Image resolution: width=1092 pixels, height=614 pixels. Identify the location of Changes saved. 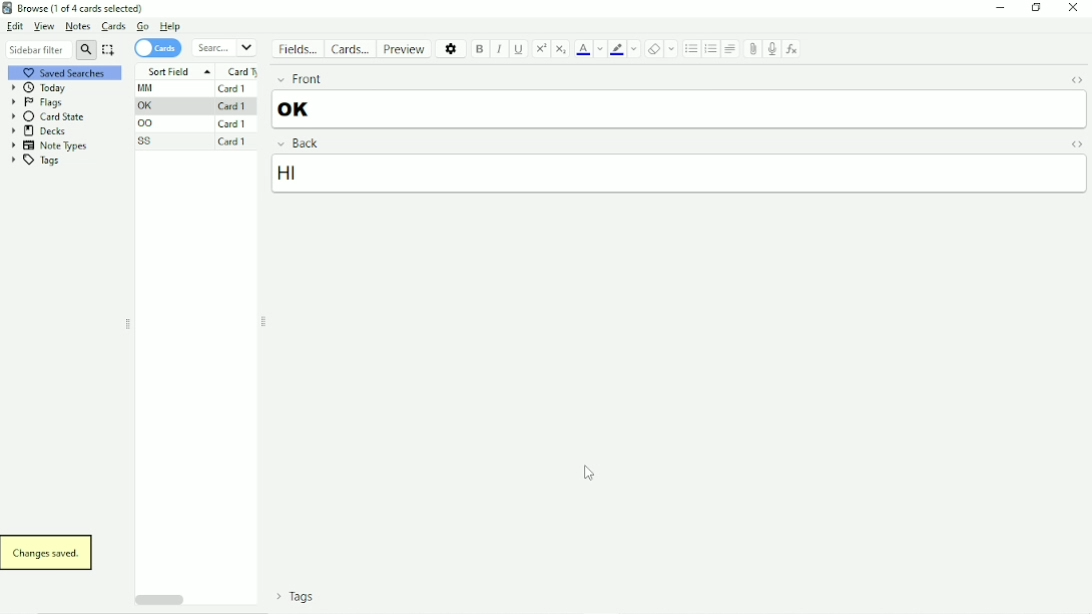
(49, 553).